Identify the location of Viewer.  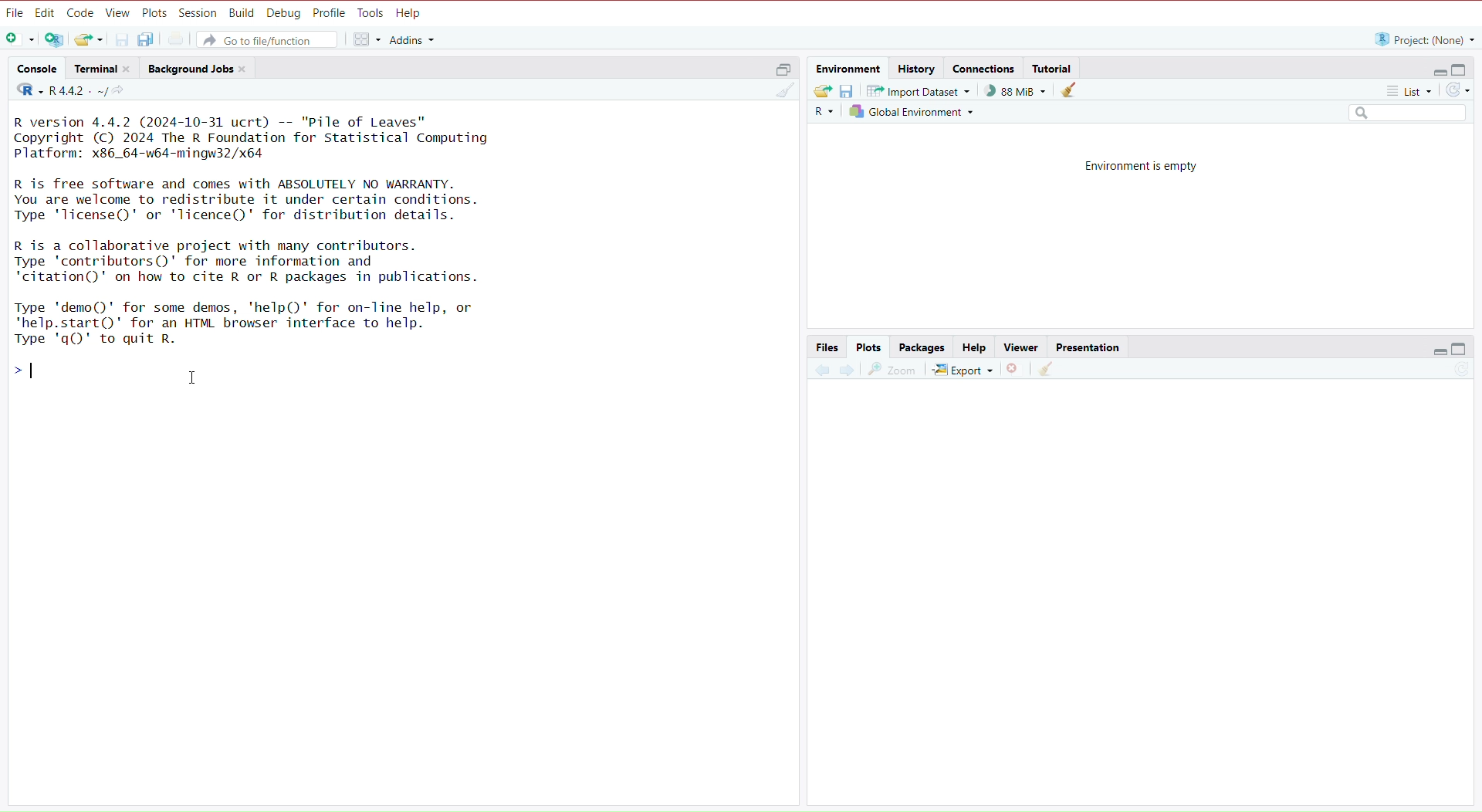
(1023, 346).